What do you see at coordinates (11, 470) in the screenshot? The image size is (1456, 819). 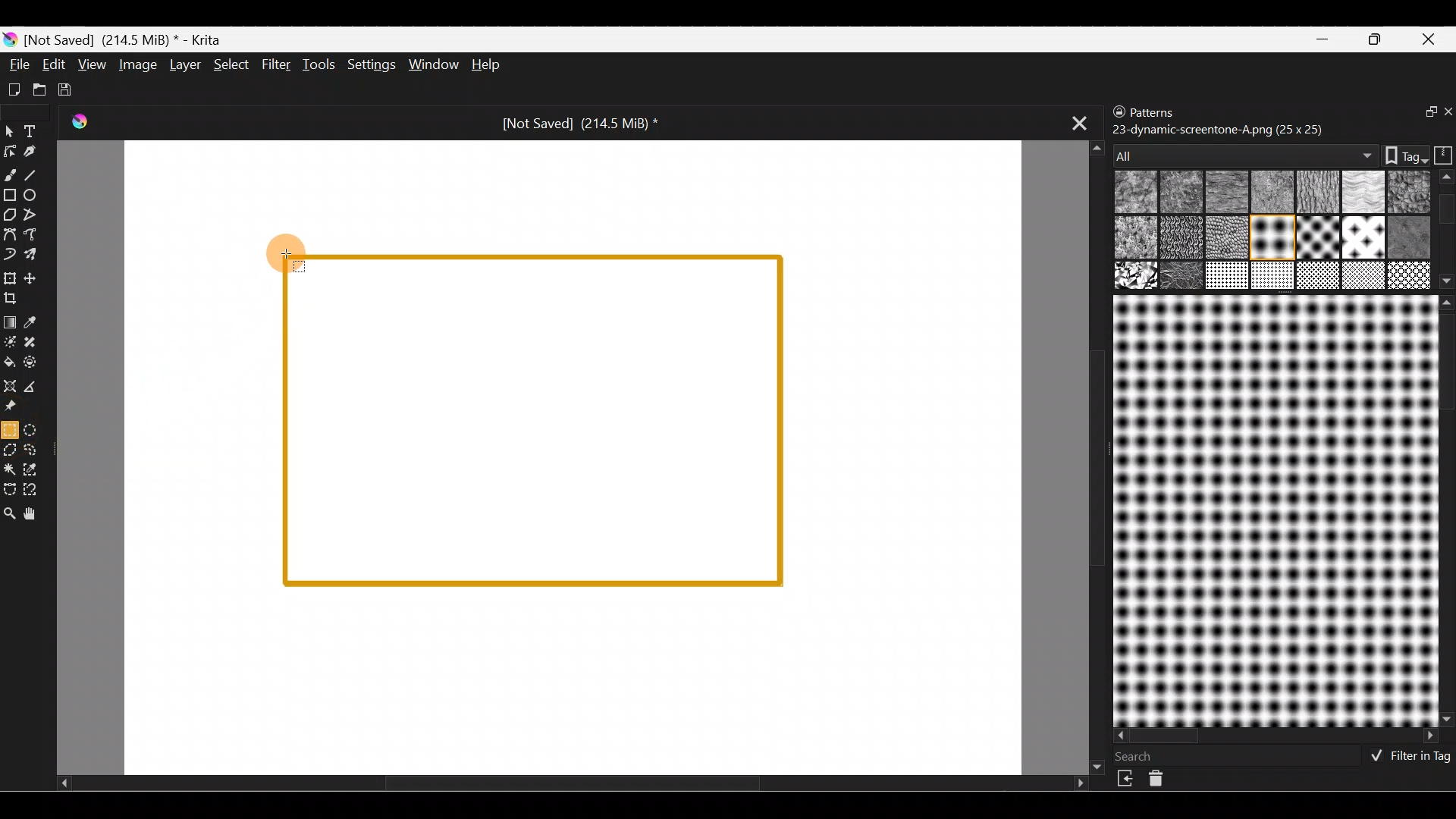 I see `Contiguous selection tool` at bounding box center [11, 470].